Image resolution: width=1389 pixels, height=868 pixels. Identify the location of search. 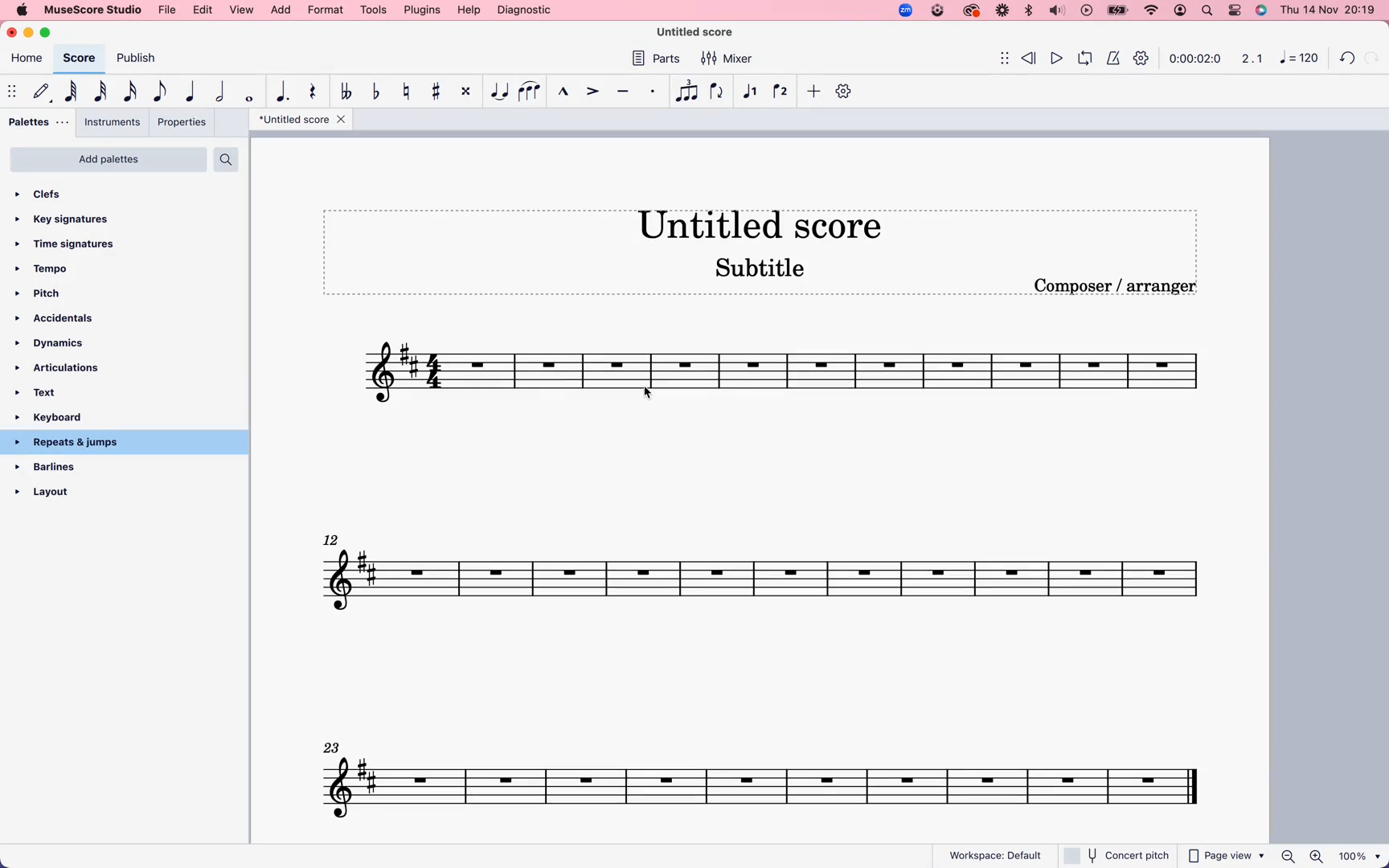
(227, 159).